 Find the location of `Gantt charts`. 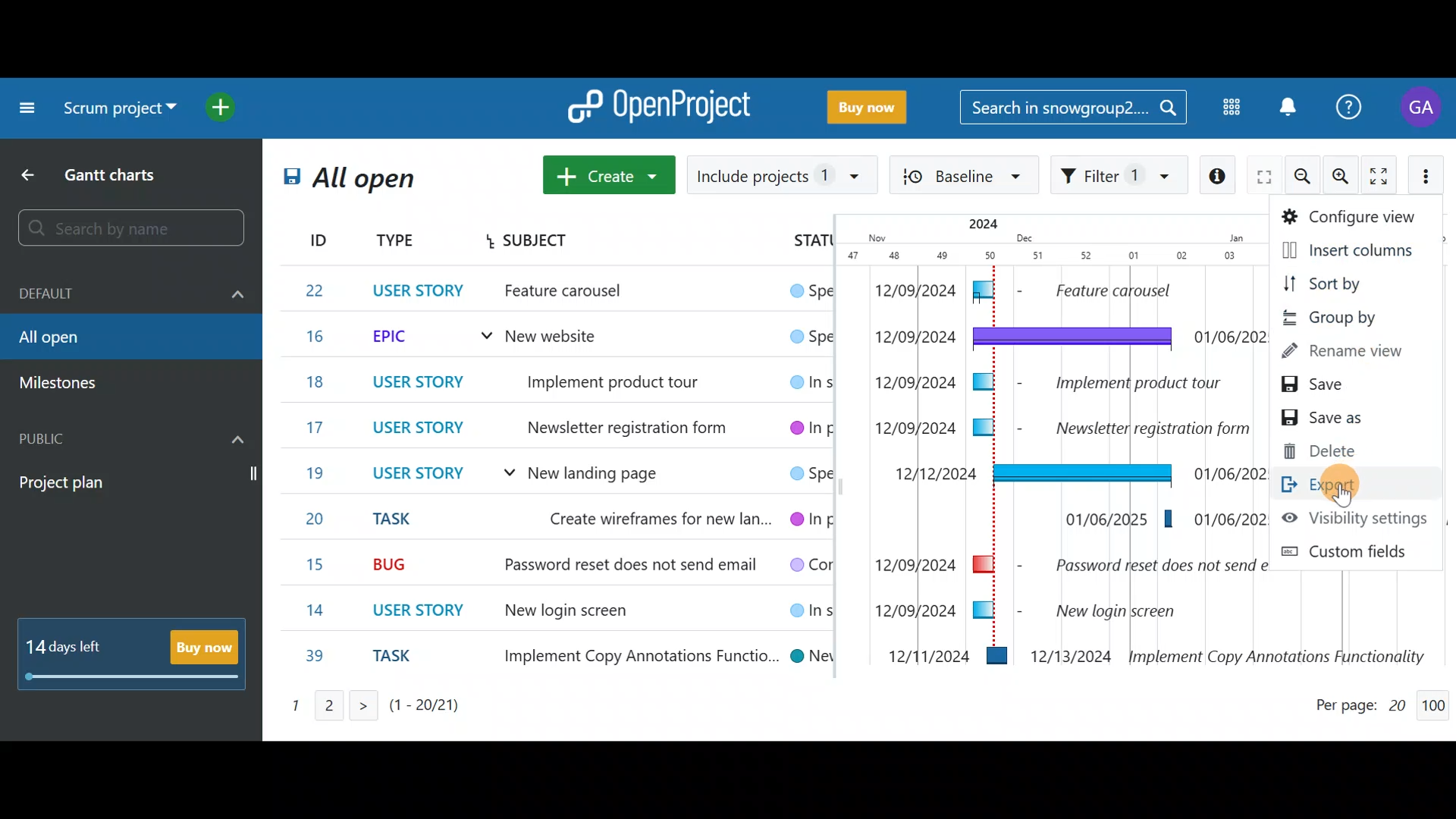

Gantt charts is located at coordinates (114, 173).